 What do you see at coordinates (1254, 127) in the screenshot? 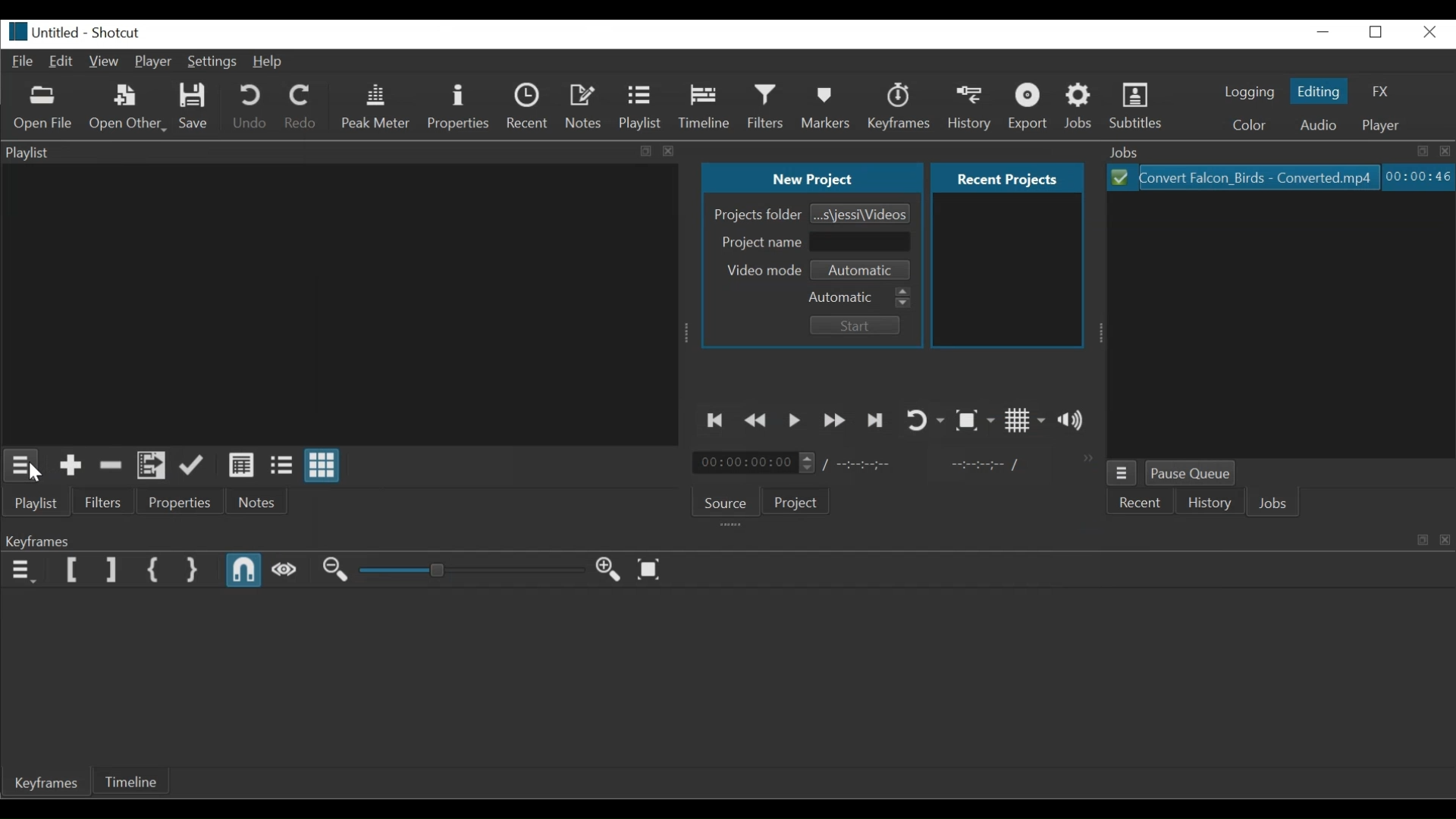
I see `Color` at bounding box center [1254, 127].